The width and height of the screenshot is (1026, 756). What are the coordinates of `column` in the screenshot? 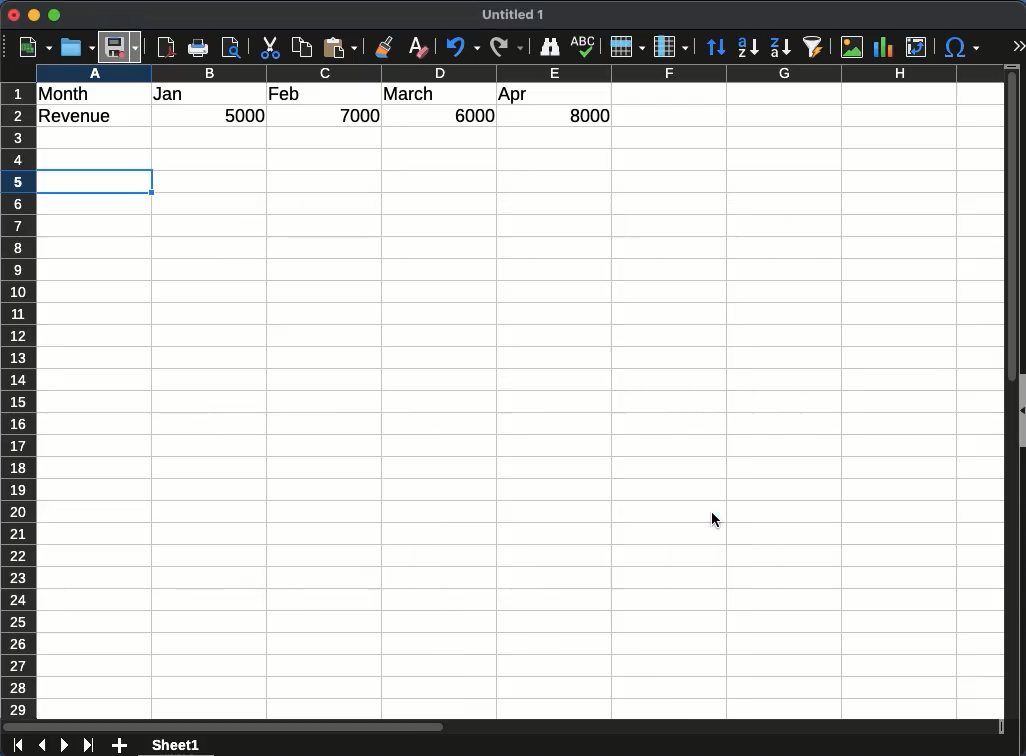 It's located at (519, 72).